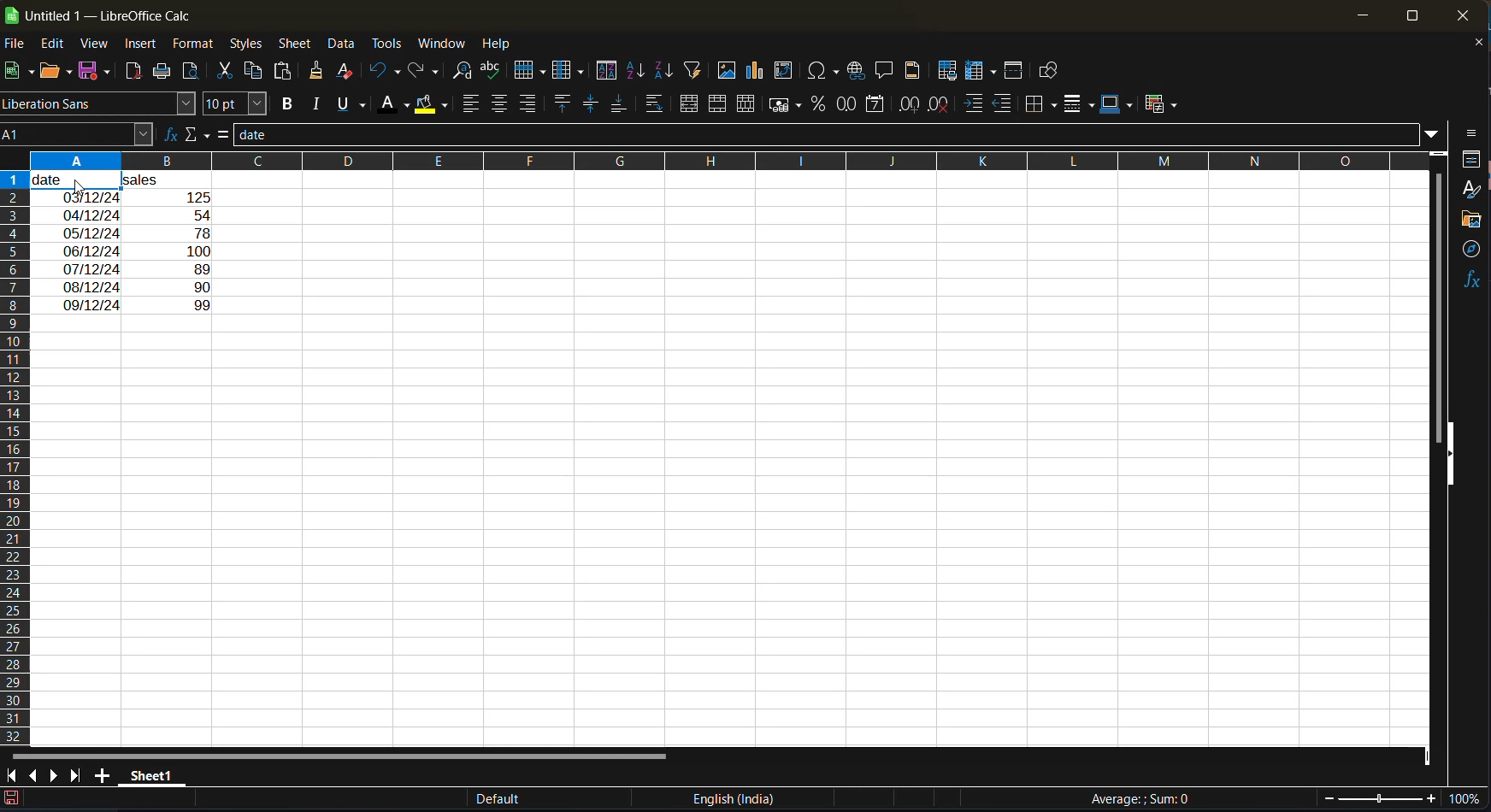  I want to click on paste, so click(286, 71).